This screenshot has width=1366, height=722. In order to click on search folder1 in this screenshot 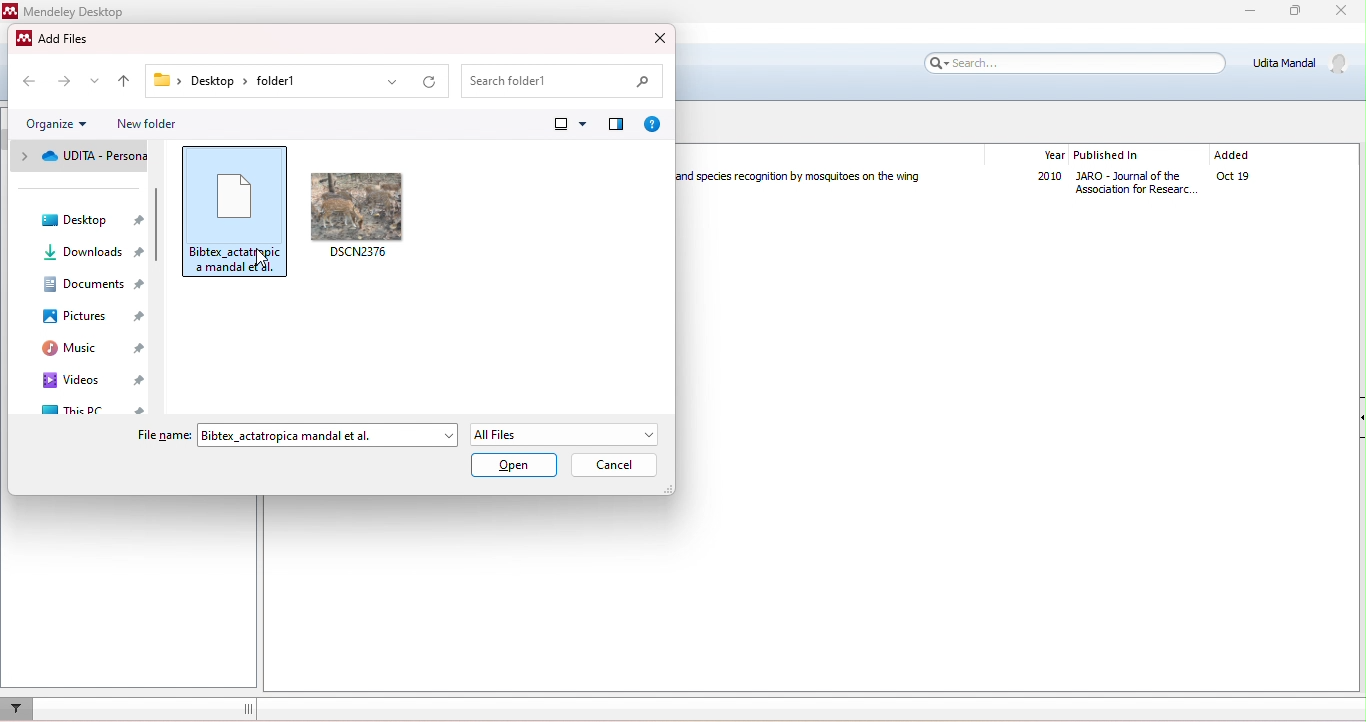, I will do `click(563, 82)`.